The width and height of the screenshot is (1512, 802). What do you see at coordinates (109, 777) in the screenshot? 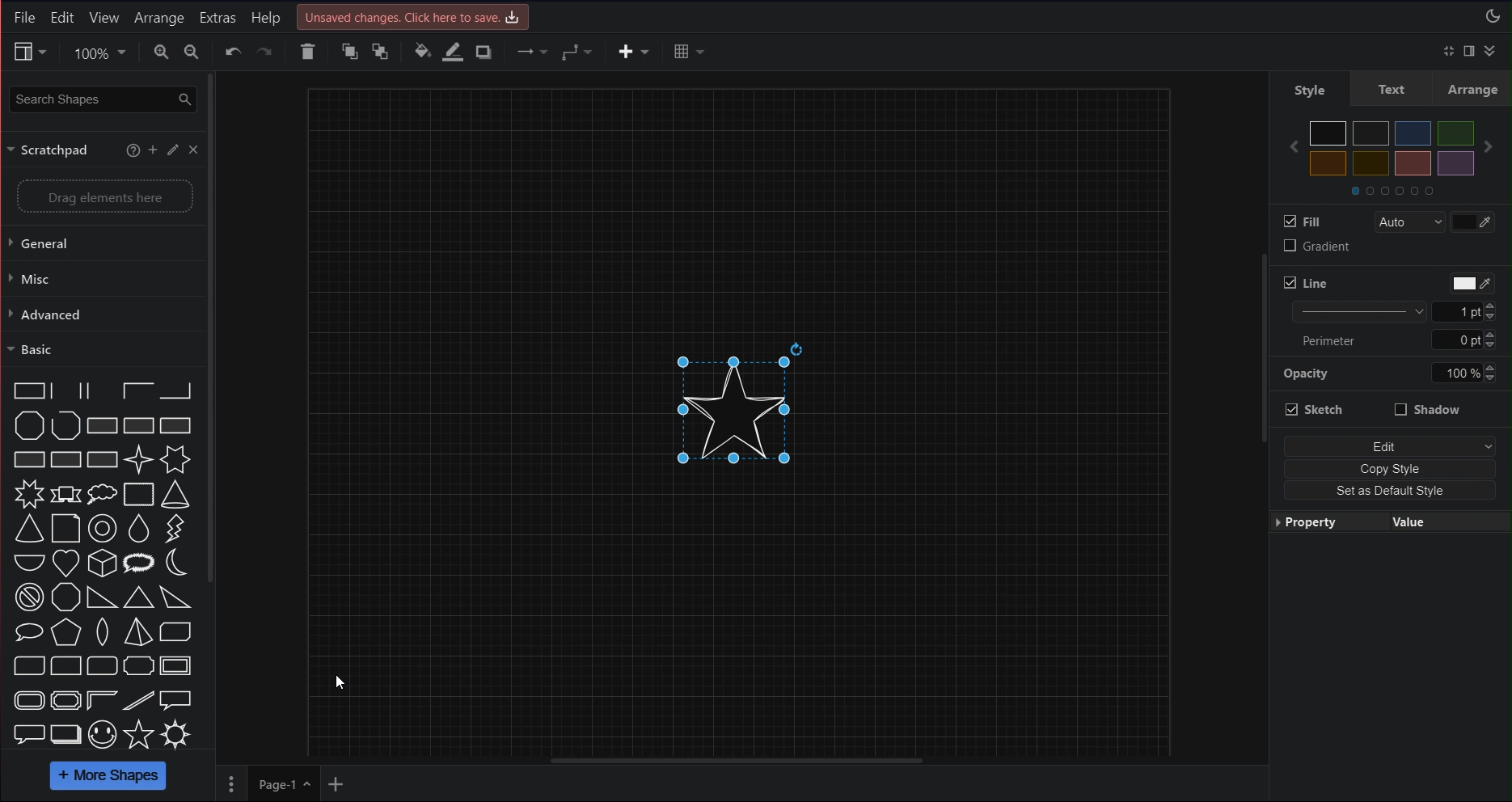
I see `More Shapes` at bounding box center [109, 777].